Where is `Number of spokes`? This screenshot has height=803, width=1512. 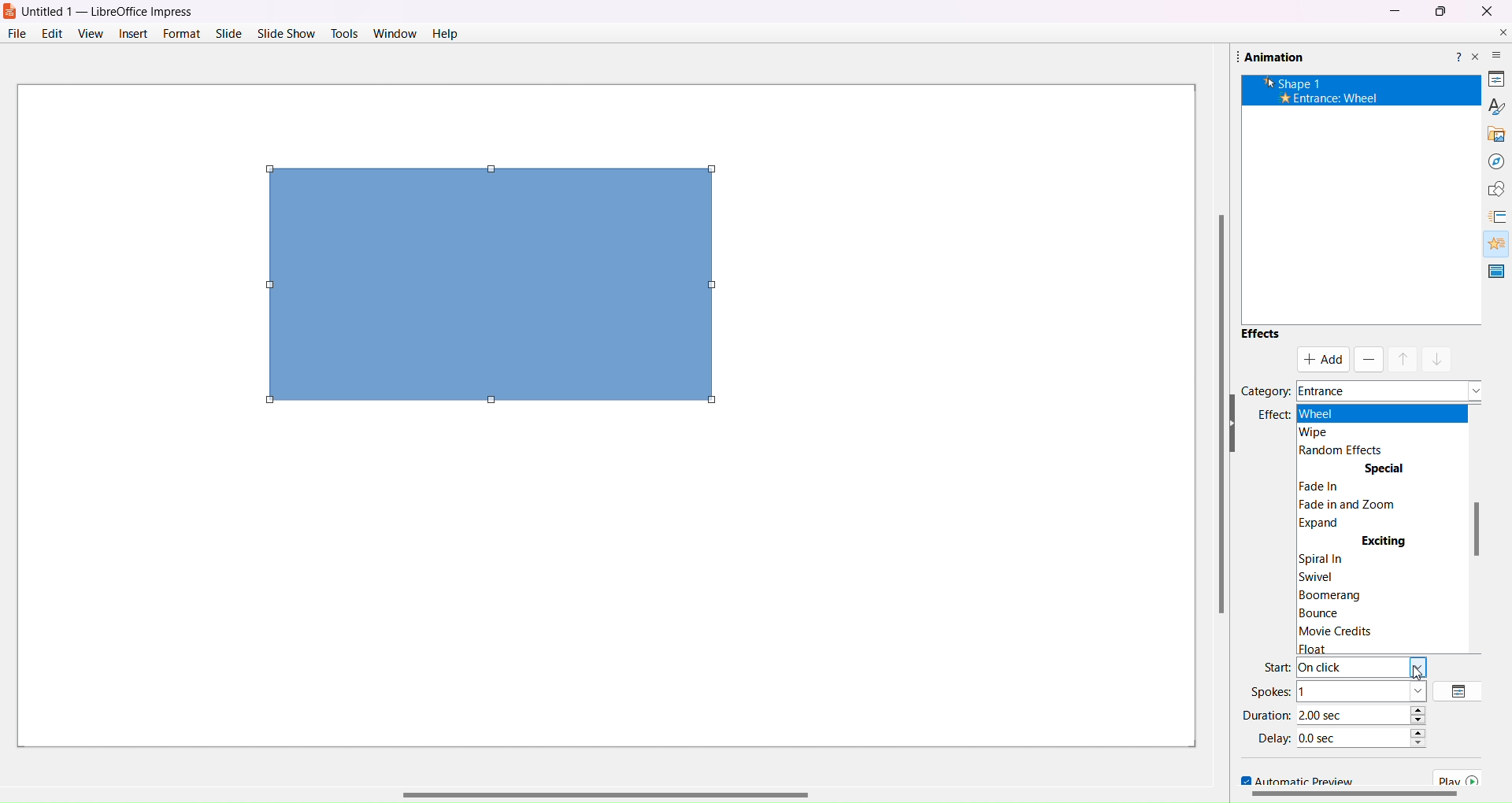 Number of spokes is located at coordinates (1362, 692).